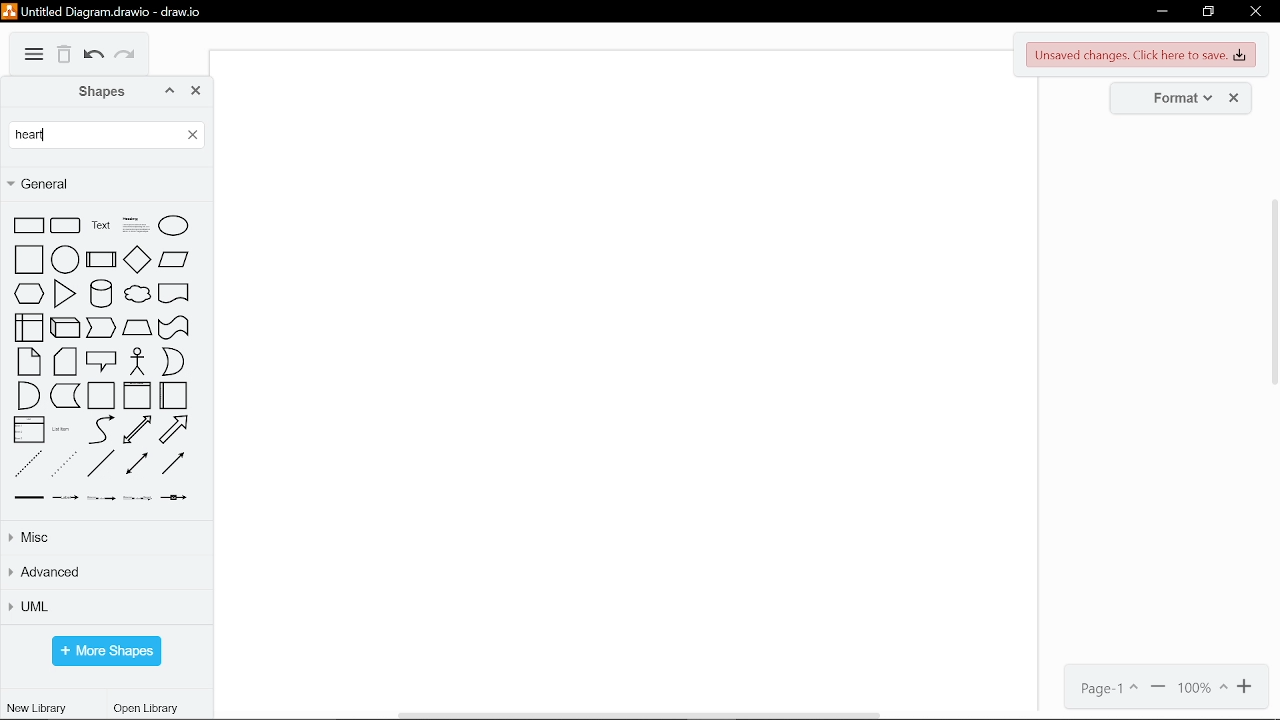 The image size is (1280, 720). Describe the element at coordinates (27, 260) in the screenshot. I see `square` at that location.